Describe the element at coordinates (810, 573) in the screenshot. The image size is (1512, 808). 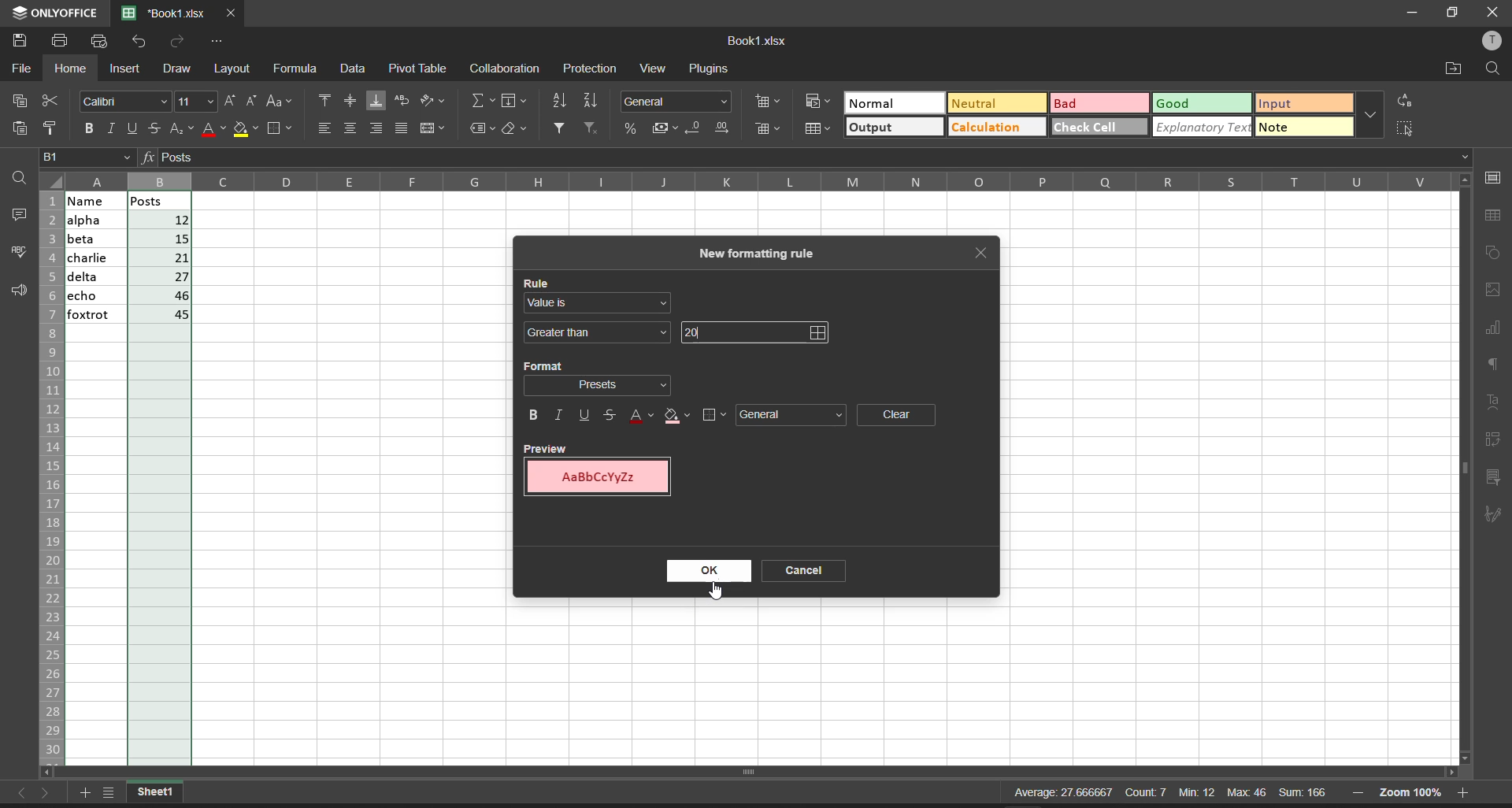
I see `cancel` at that location.